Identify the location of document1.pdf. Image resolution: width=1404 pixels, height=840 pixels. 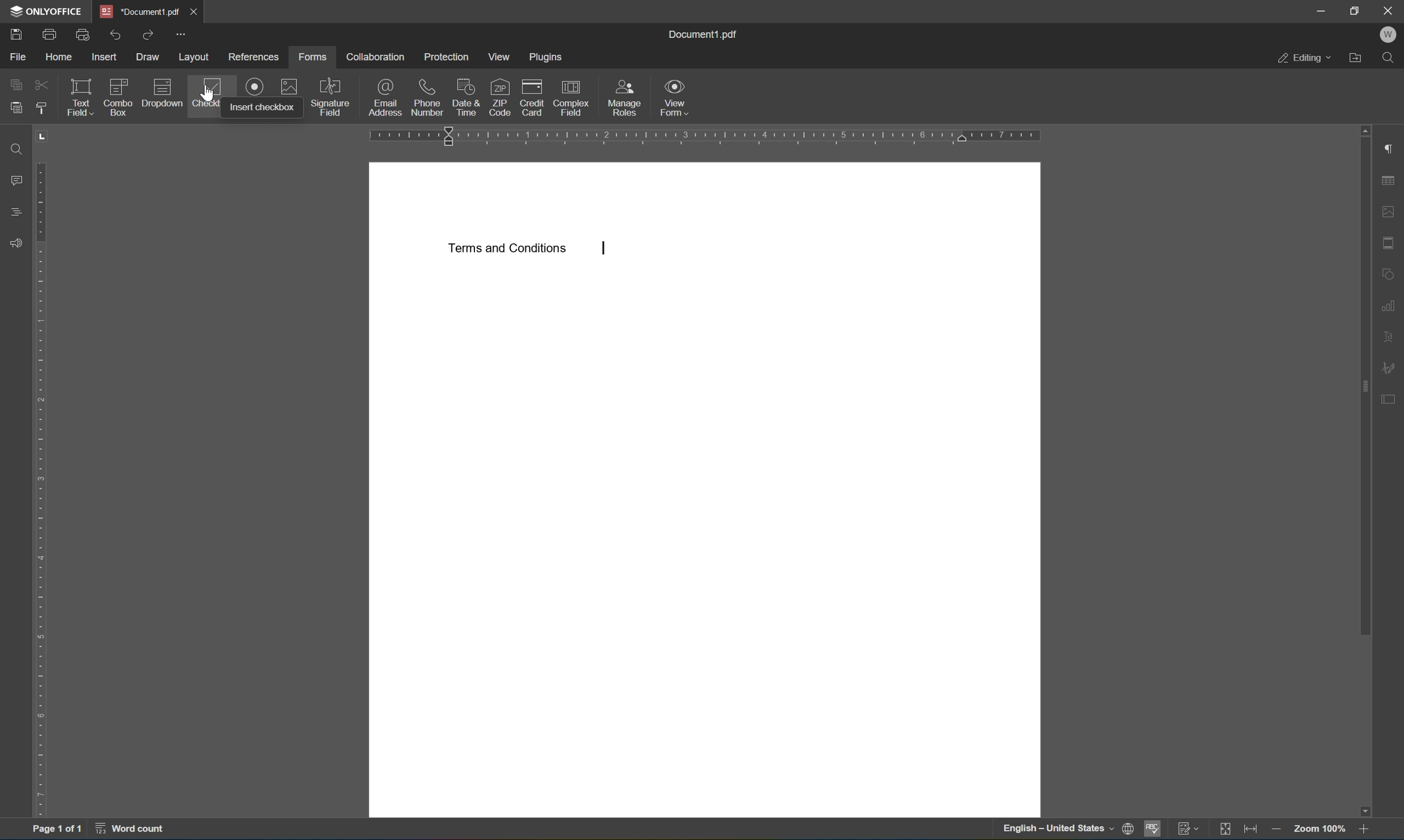
(707, 36).